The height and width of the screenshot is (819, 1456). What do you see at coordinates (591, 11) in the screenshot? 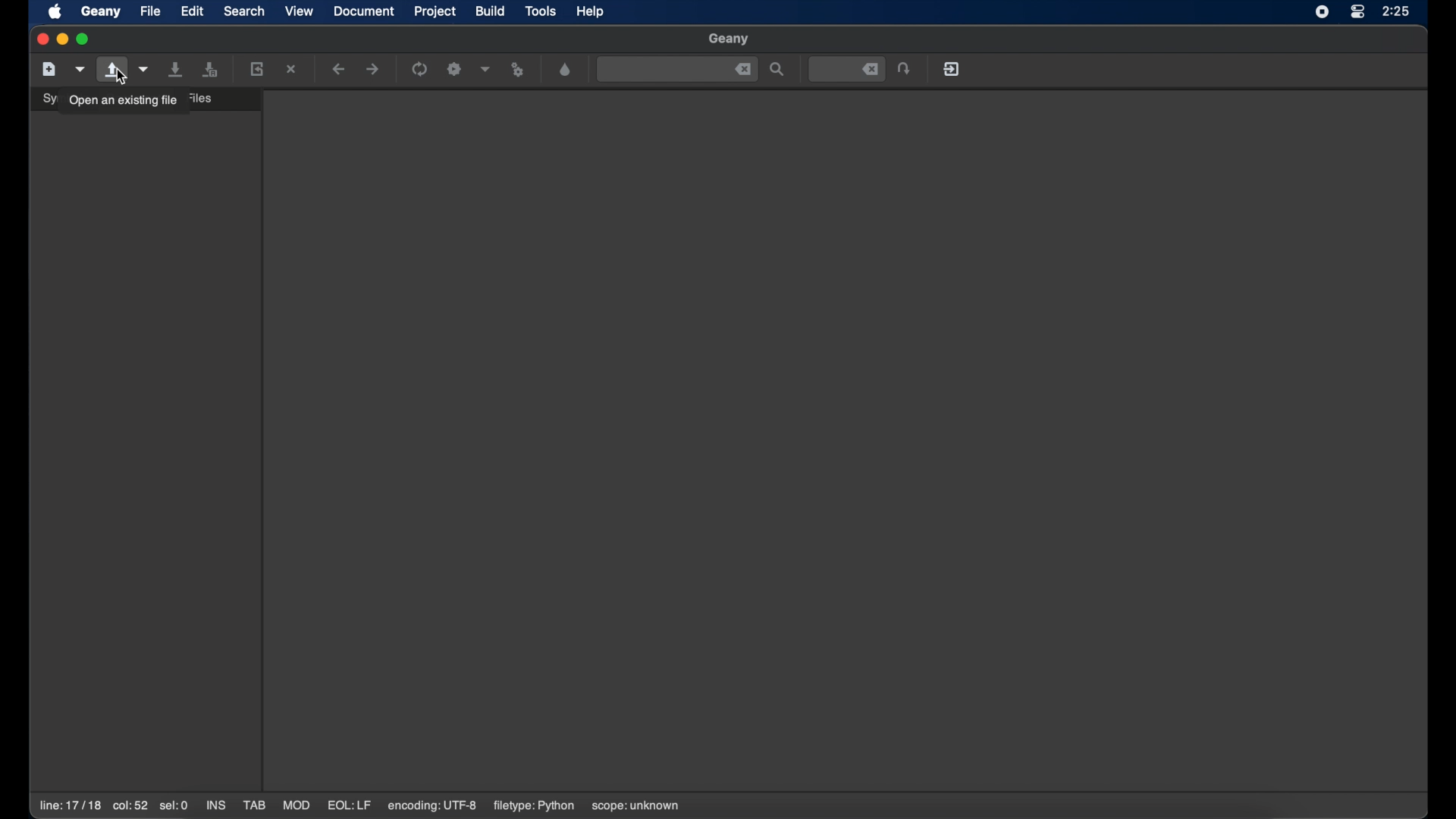
I see `help` at bounding box center [591, 11].